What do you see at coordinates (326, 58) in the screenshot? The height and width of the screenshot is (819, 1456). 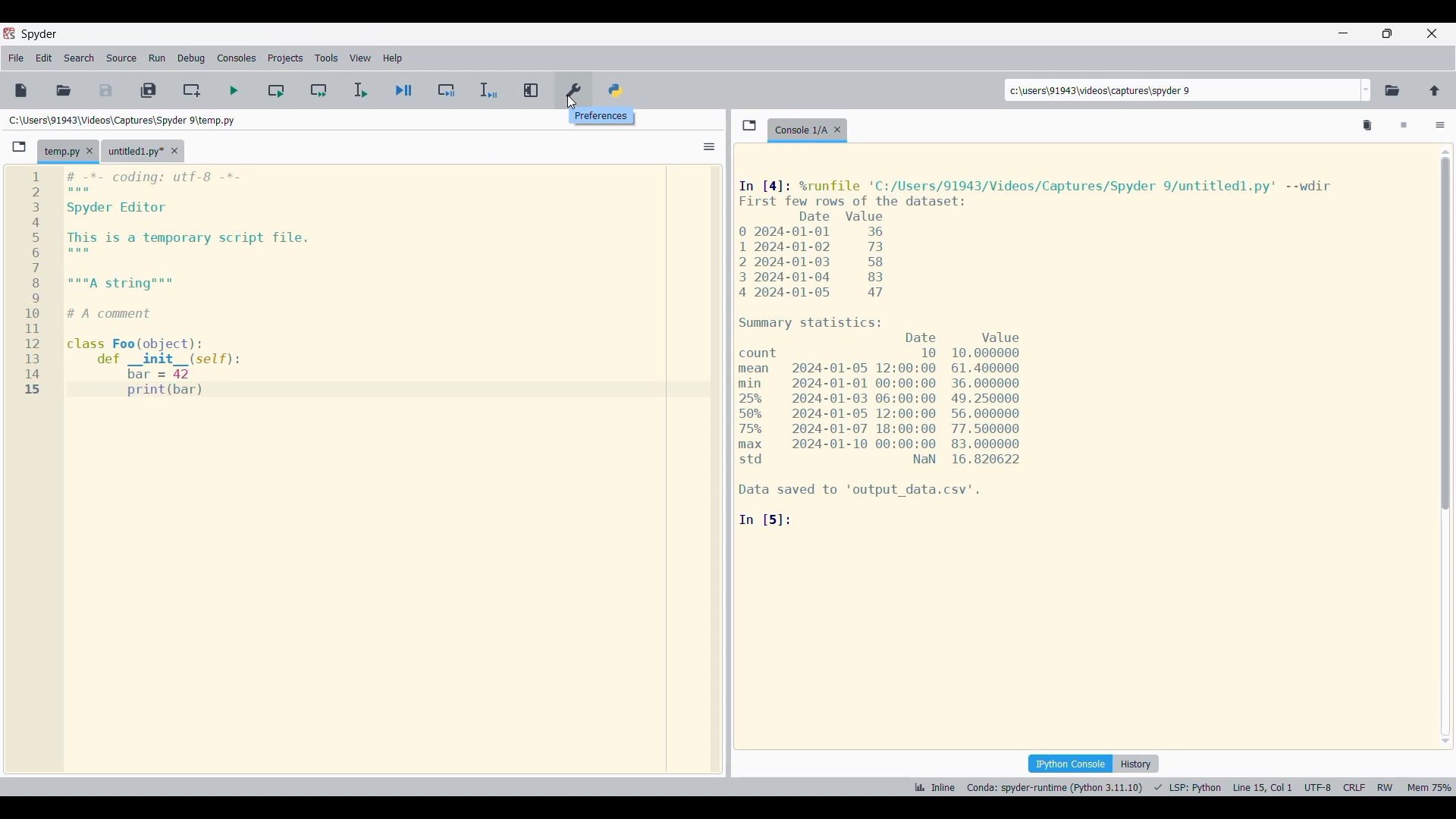 I see `Tools menu` at bounding box center [326, 58].